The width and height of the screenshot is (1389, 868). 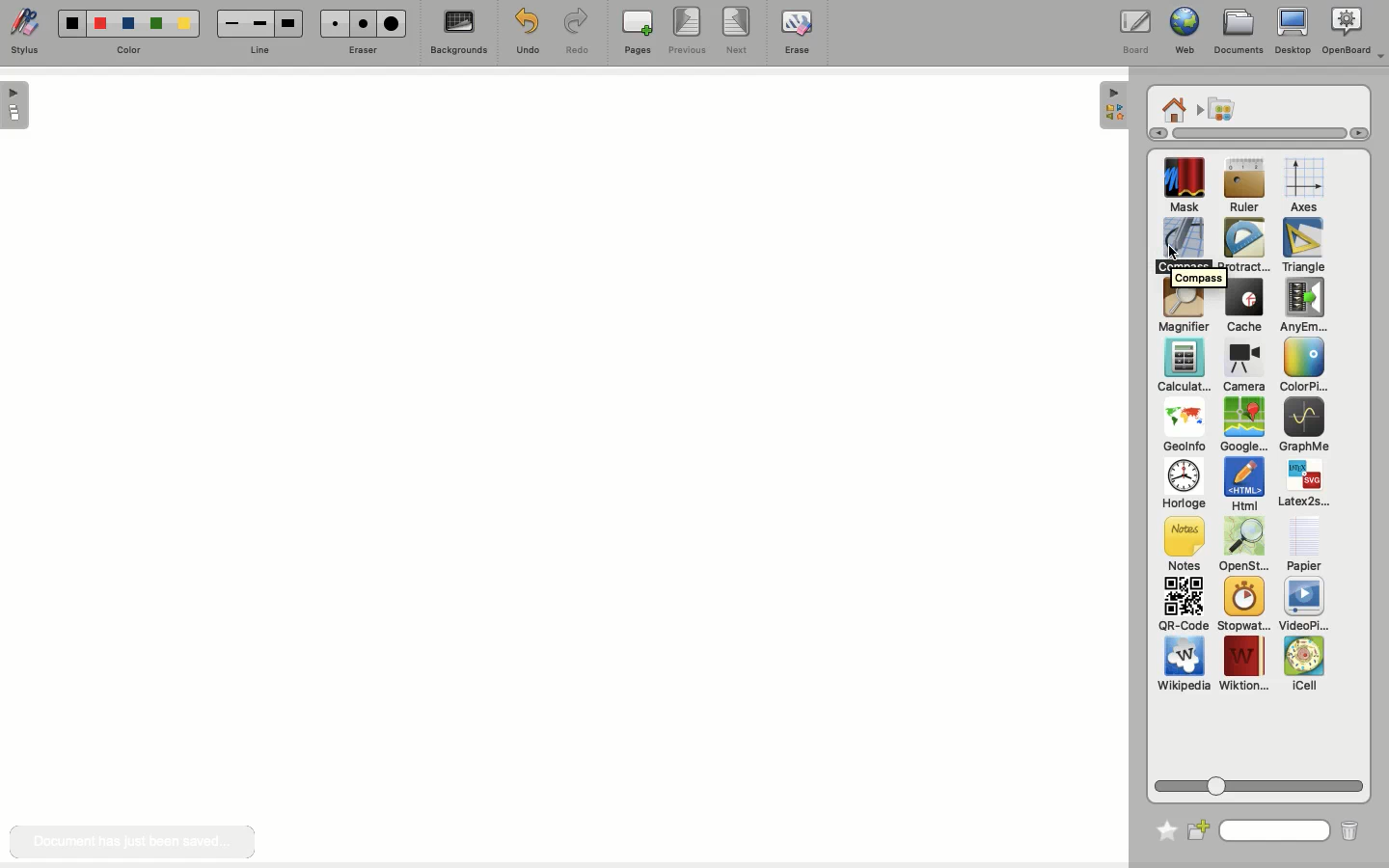 I want to click on Home, so click(x=1174, y=108).